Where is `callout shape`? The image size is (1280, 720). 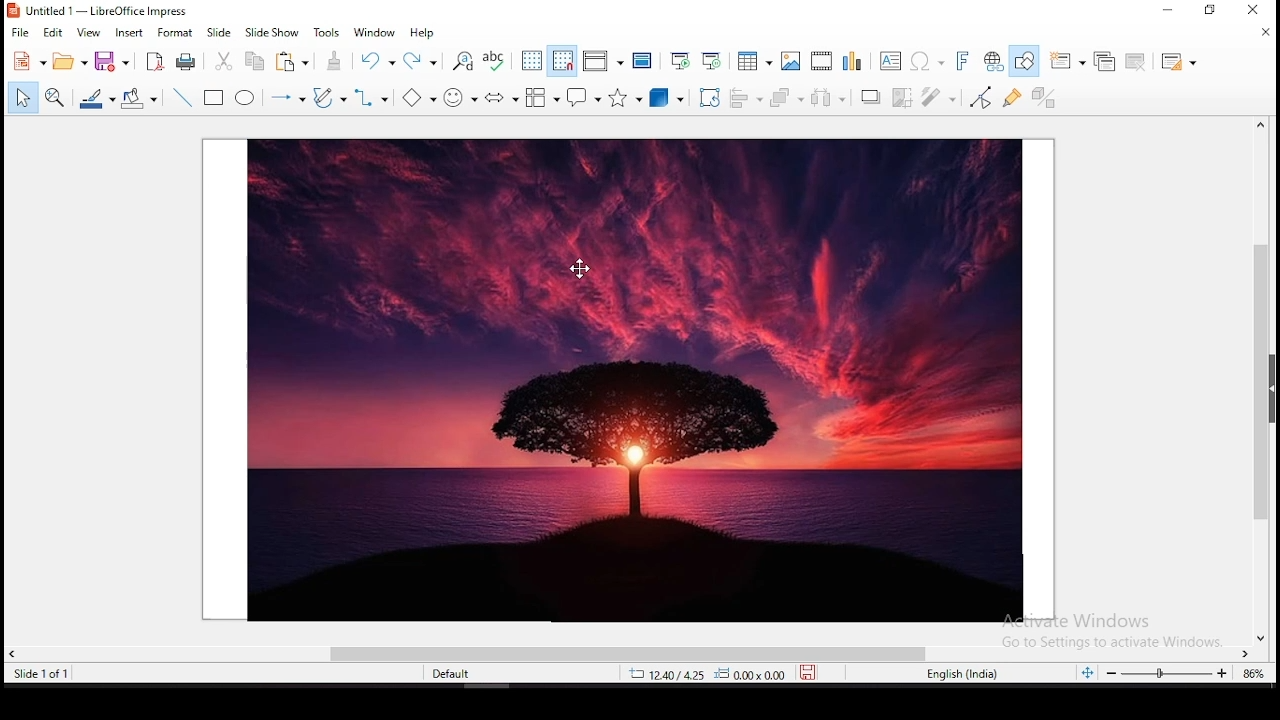 callout shape is located at coordinates (584, 101).